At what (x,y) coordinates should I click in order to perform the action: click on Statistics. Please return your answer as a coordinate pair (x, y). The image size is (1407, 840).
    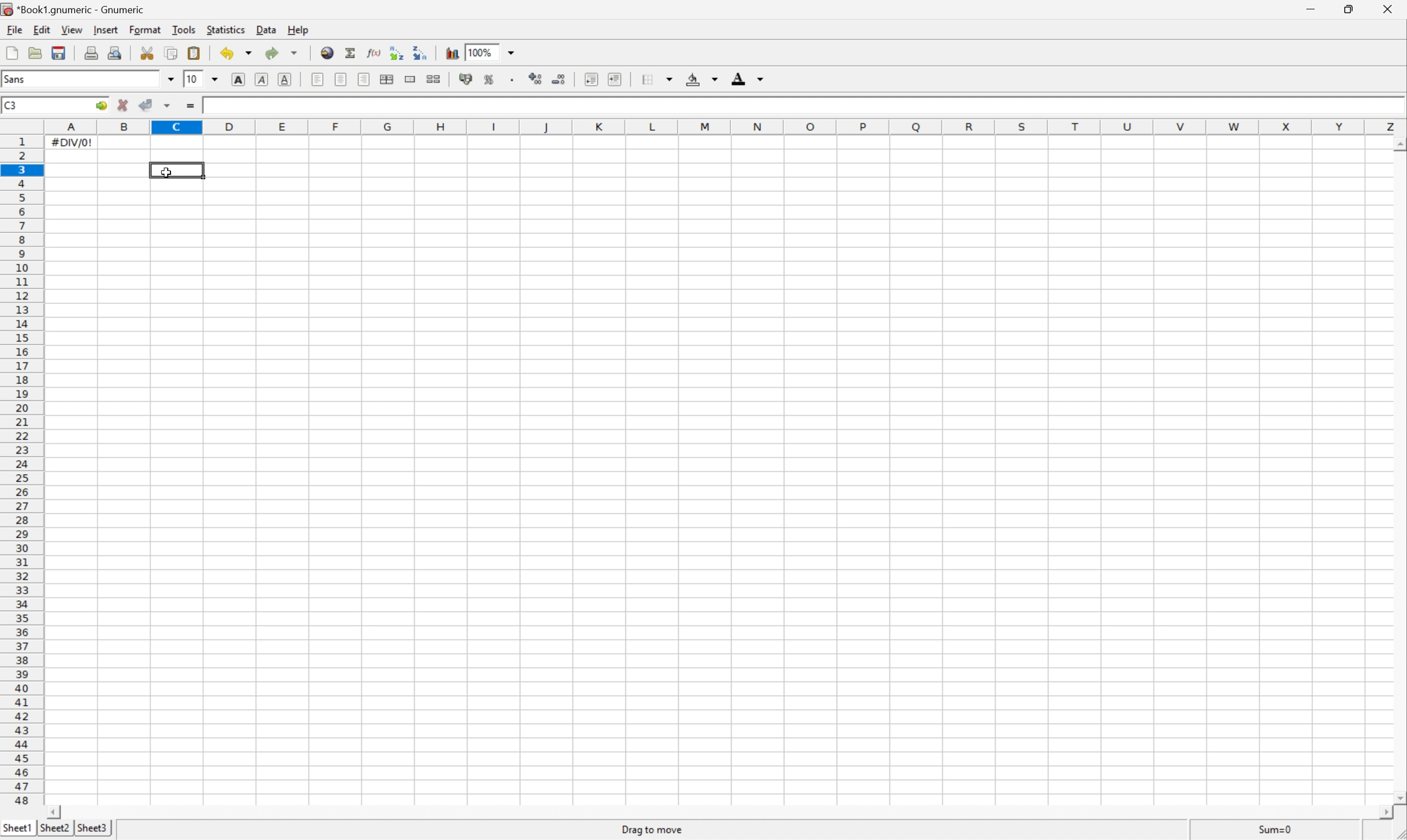
    Looking at the image, I should click on (226, 29).